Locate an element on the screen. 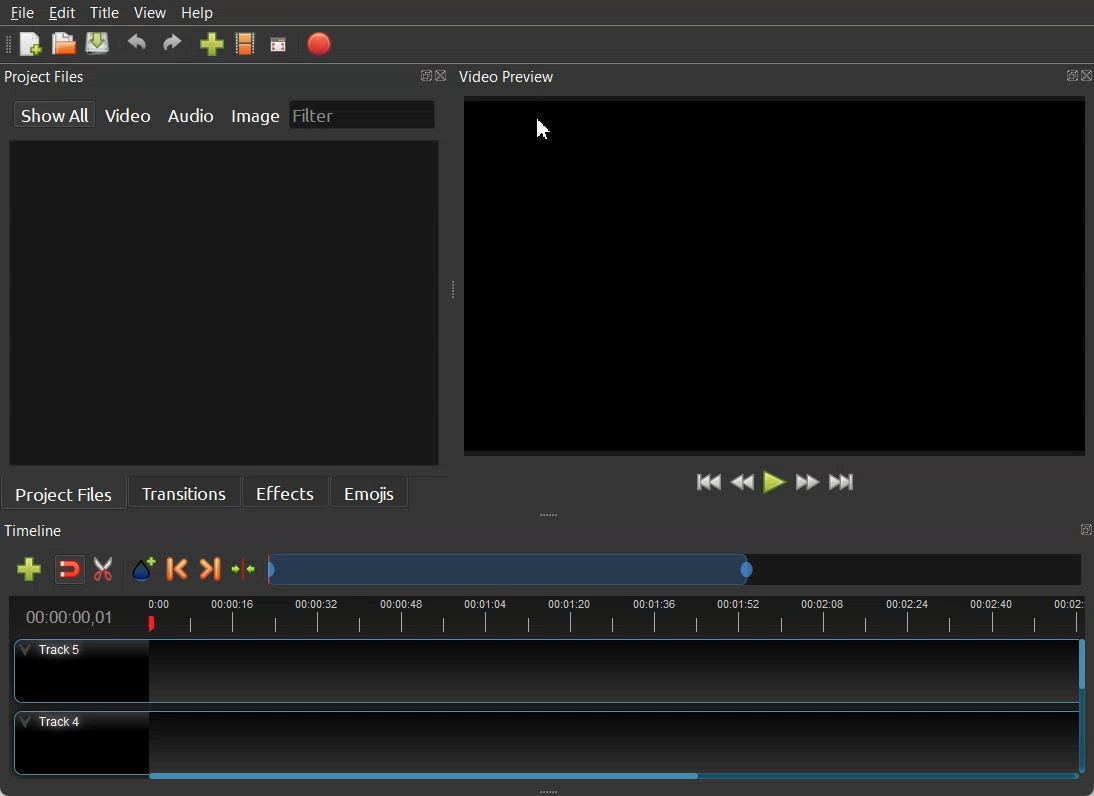  Choose Profile is located at coordinates (246, 43).